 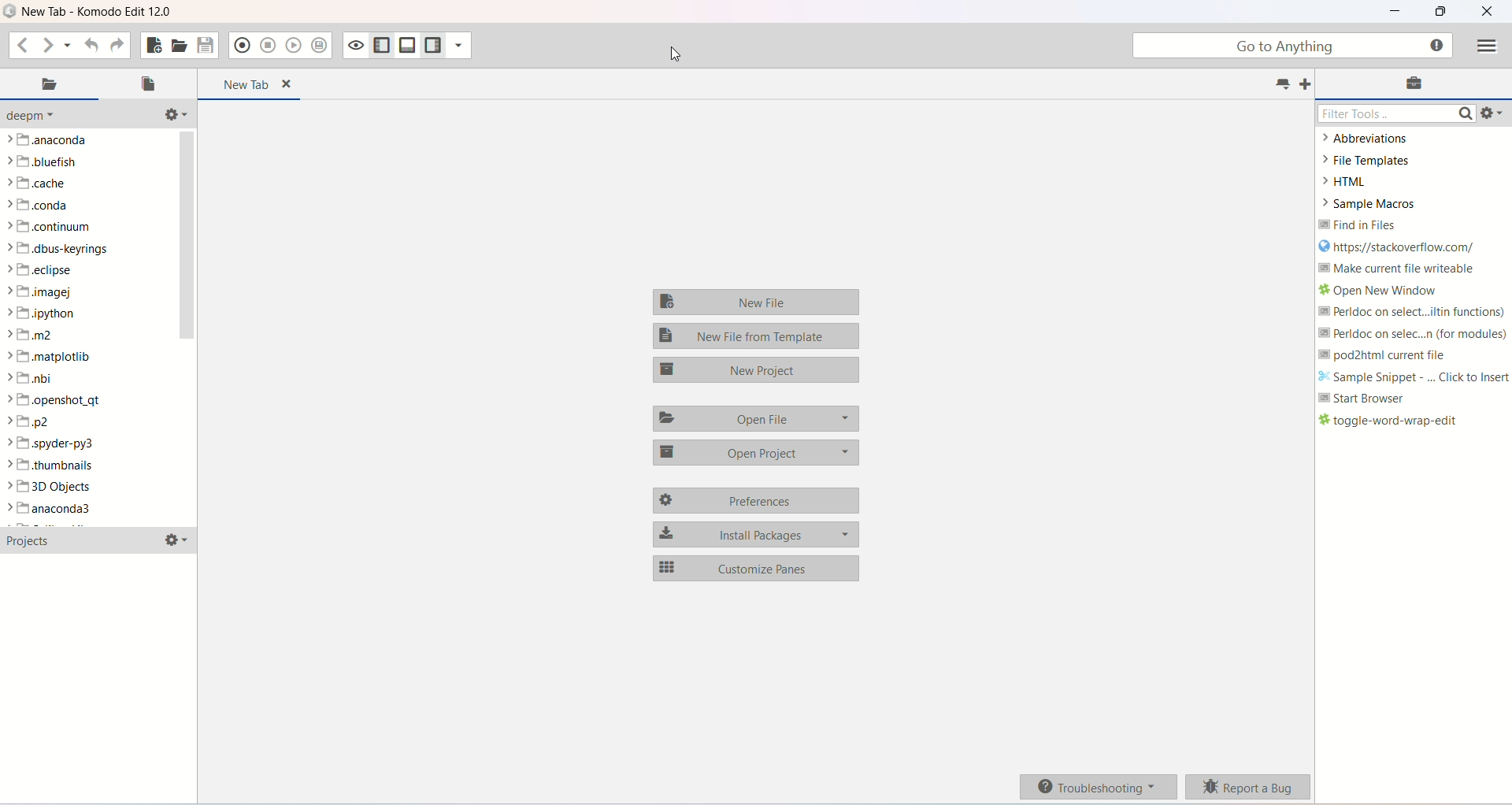 I want to click on ipython, so click(x=44, y=313).